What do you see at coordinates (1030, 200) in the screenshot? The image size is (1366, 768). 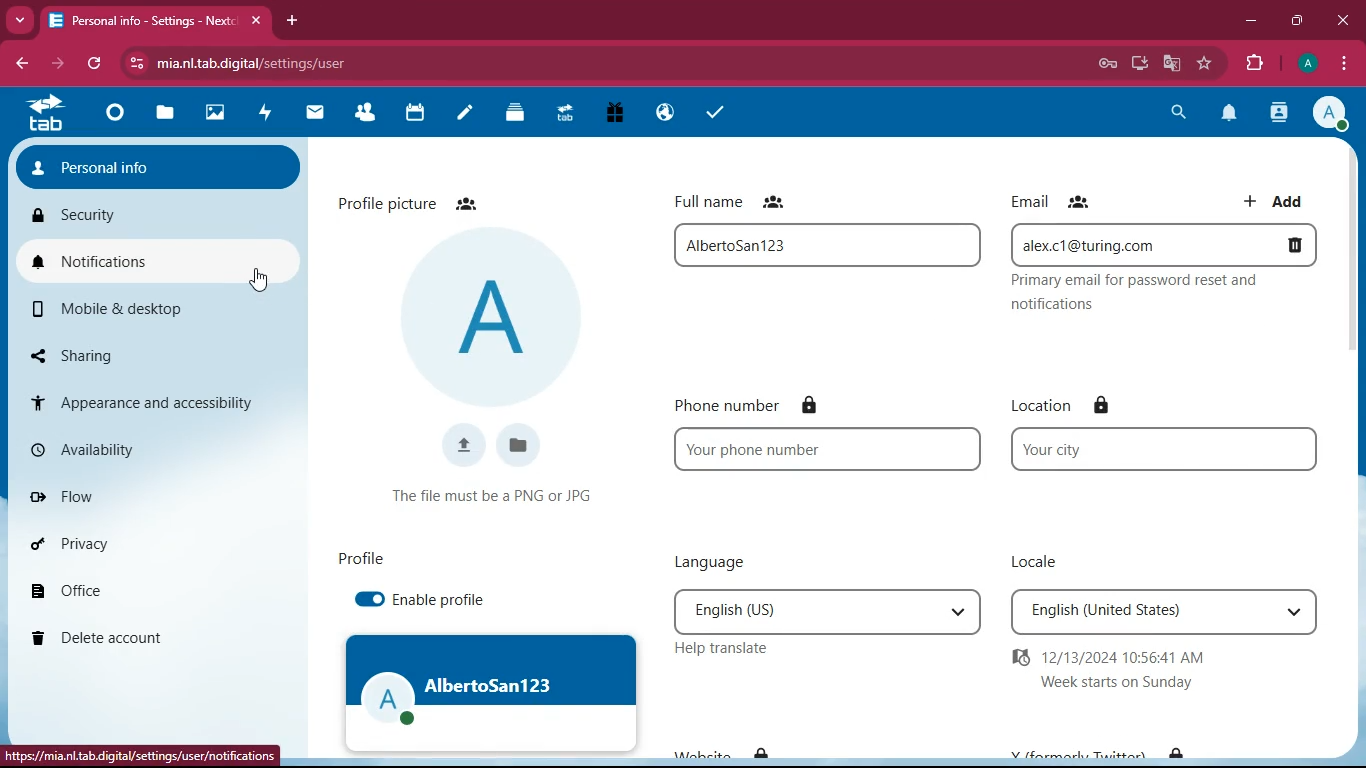 I see `email` at bounding box center [1030, 200].